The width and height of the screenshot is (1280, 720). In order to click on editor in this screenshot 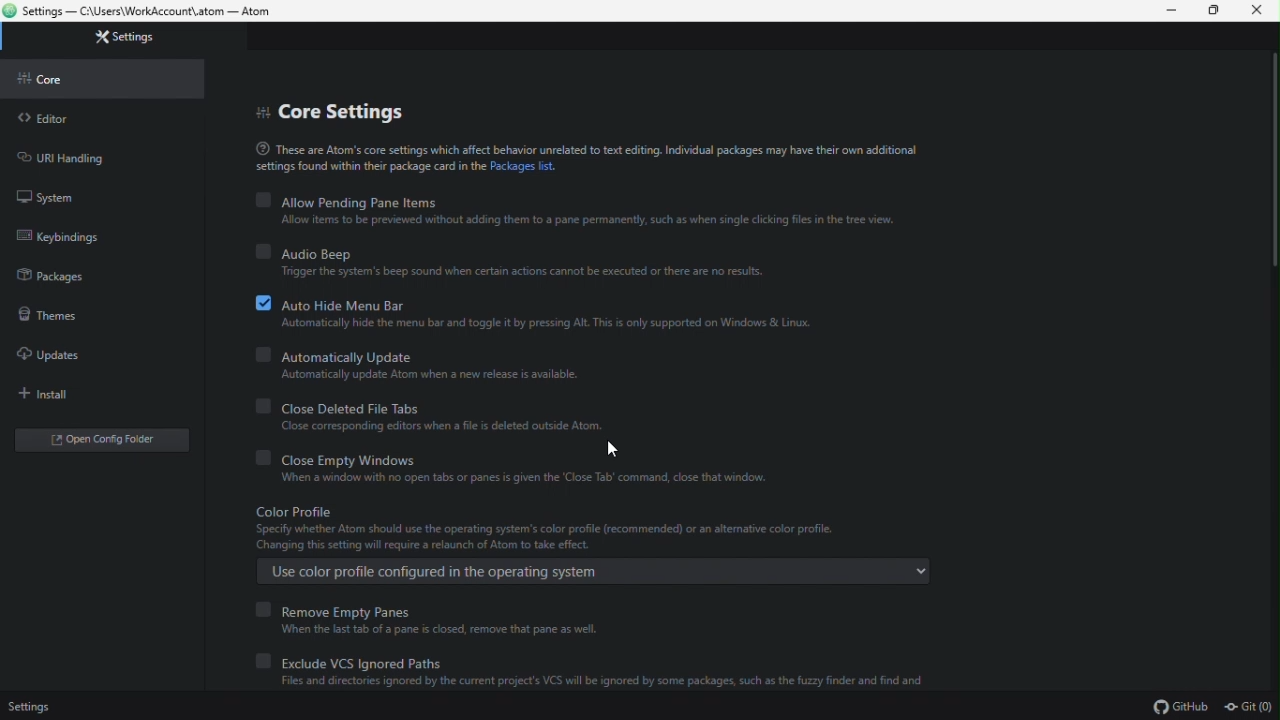, I will do `click(106, 114)`.